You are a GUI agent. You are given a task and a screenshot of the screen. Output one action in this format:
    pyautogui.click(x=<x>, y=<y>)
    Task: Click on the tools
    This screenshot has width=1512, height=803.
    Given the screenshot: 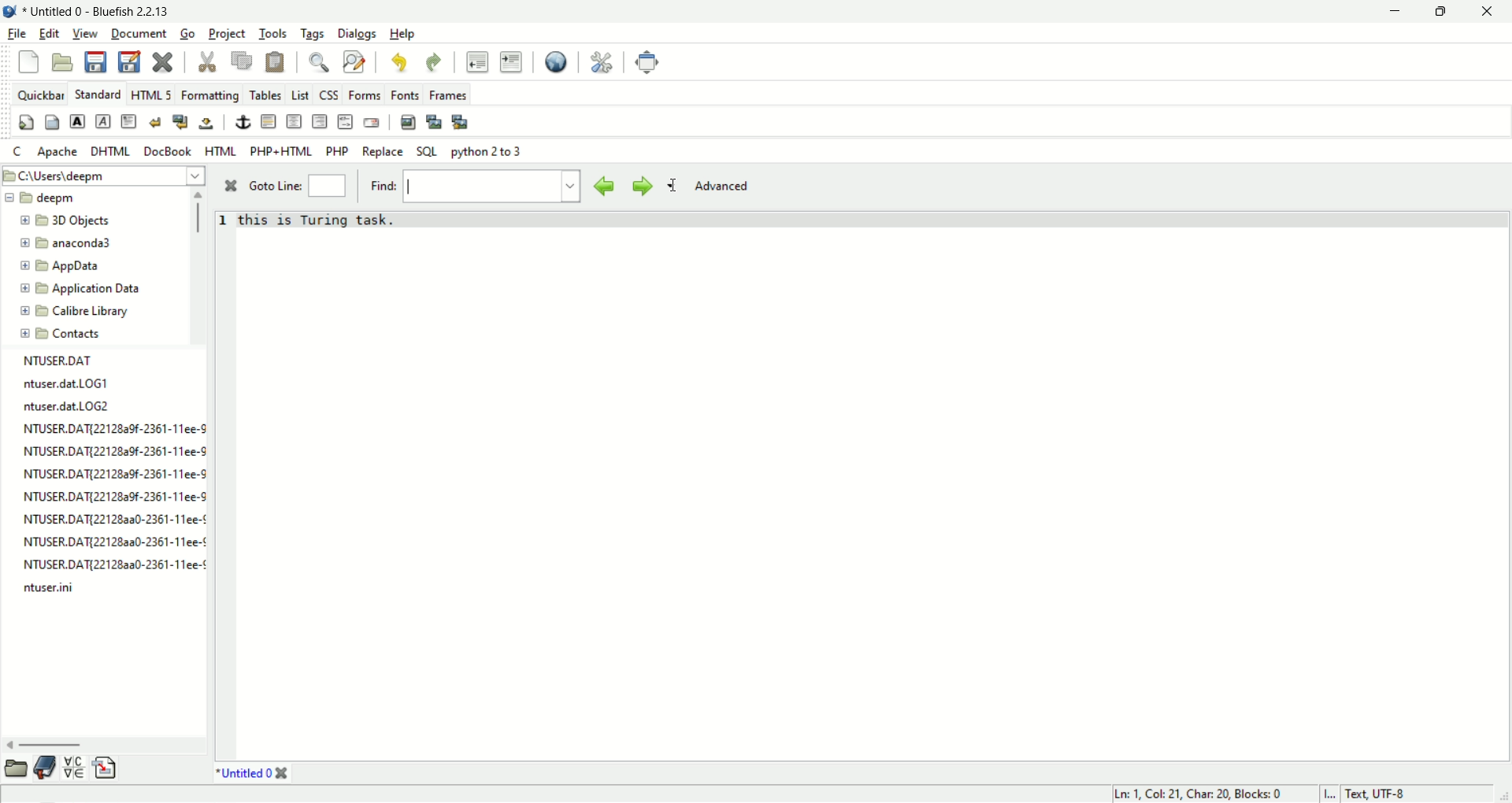 What is the action you would take?
    pyautogui.click(x=273, y=34)
    